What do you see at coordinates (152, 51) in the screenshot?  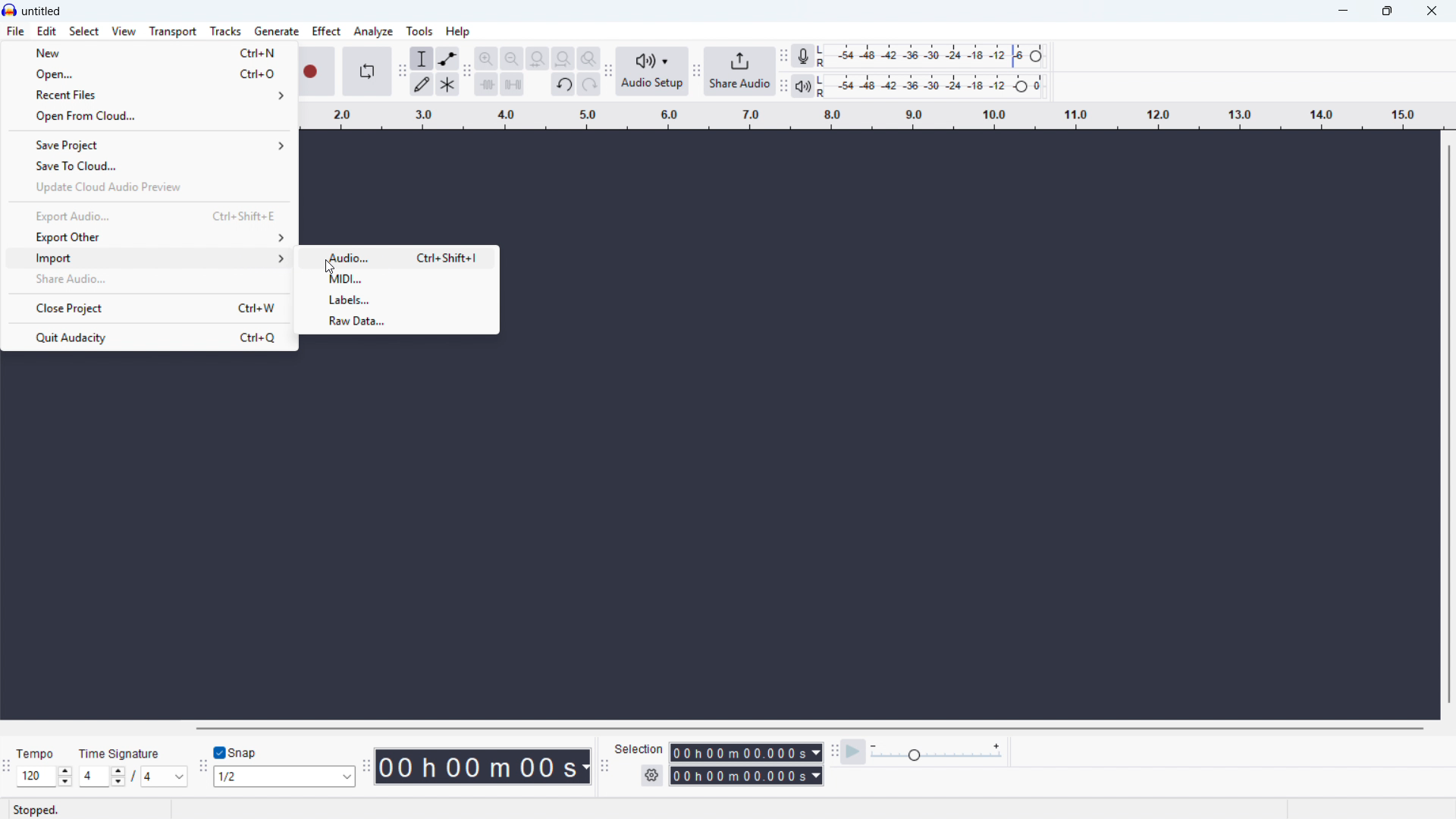 I see `new ` at bounding box center [152, 51].